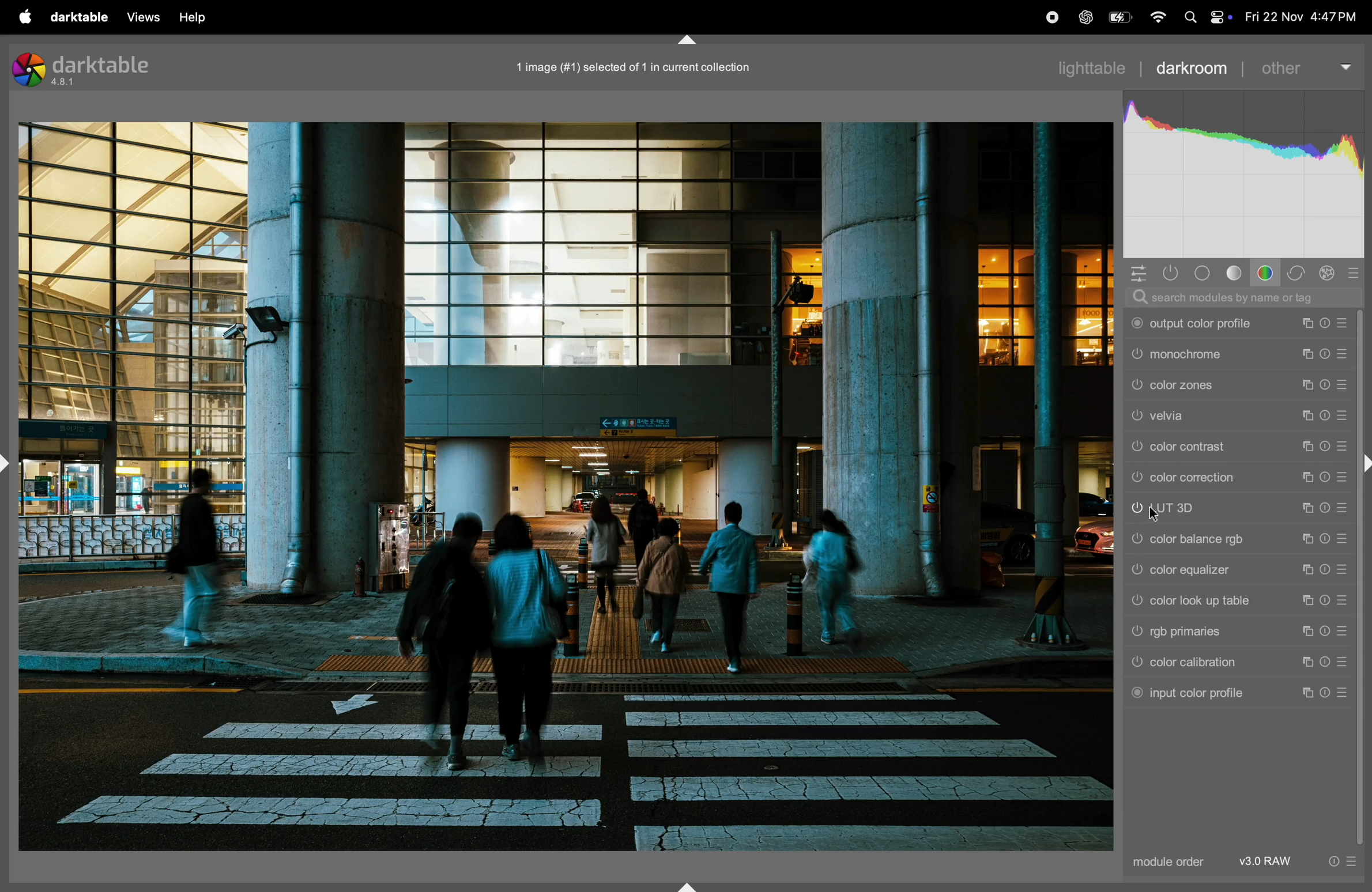 Image resolution: width=1372 pixels, height=892 pixels. I want to click on v3 raw, so click(1268, 862).